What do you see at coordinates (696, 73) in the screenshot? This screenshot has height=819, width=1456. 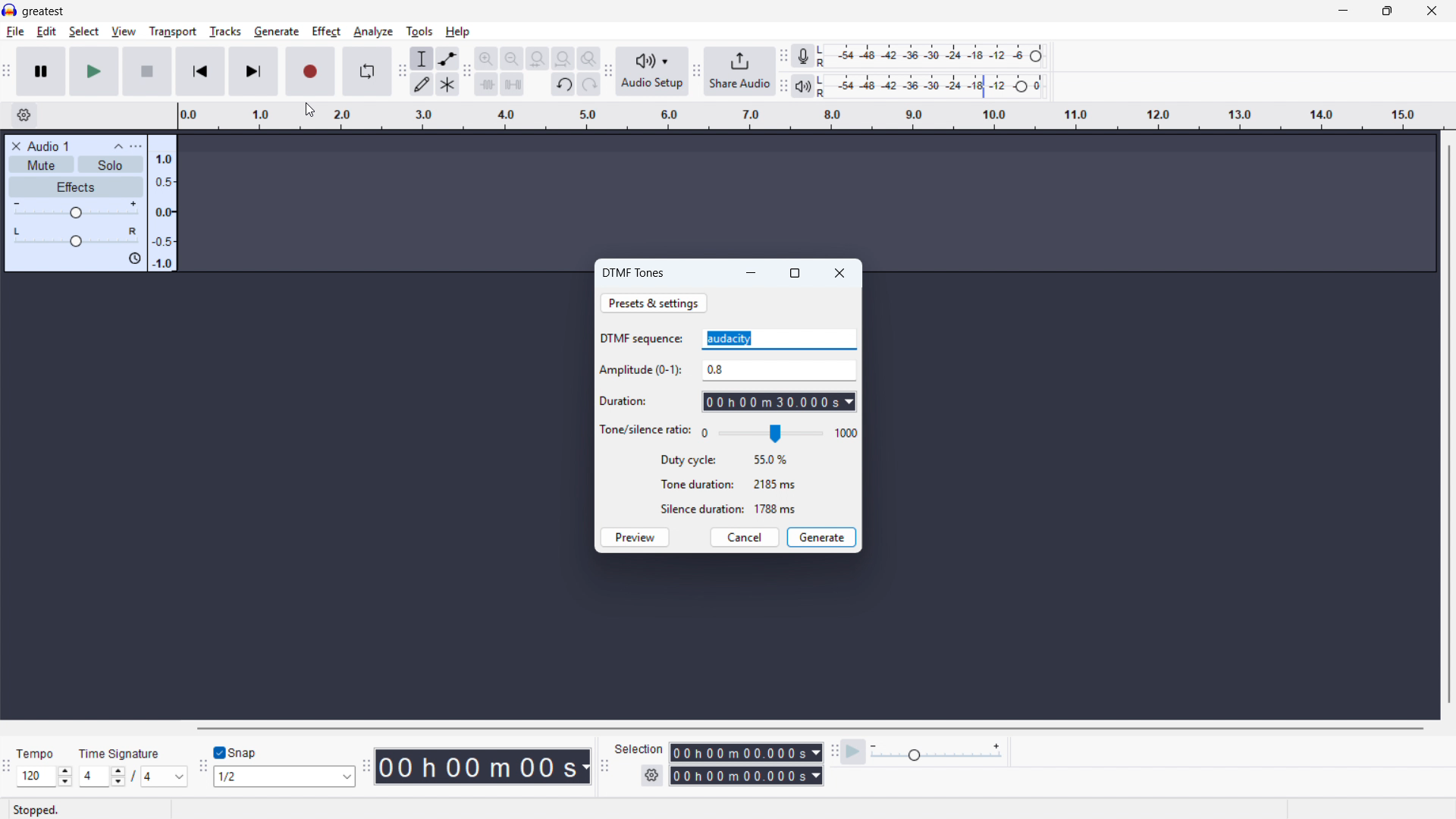 I see `share audio toolbar` at bounding box center [696, 73].